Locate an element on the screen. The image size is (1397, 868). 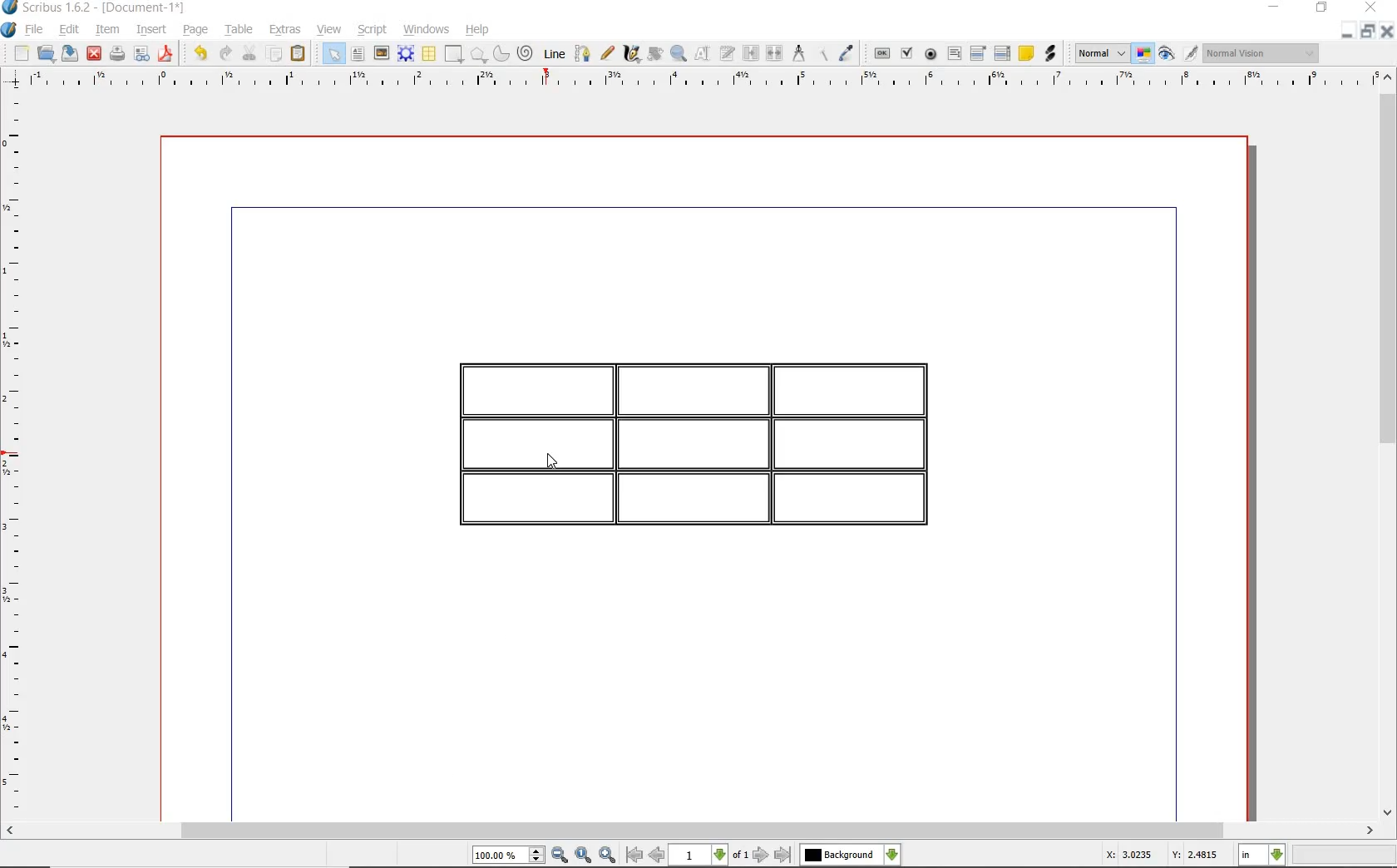
line is located at coordinates (554, 53).